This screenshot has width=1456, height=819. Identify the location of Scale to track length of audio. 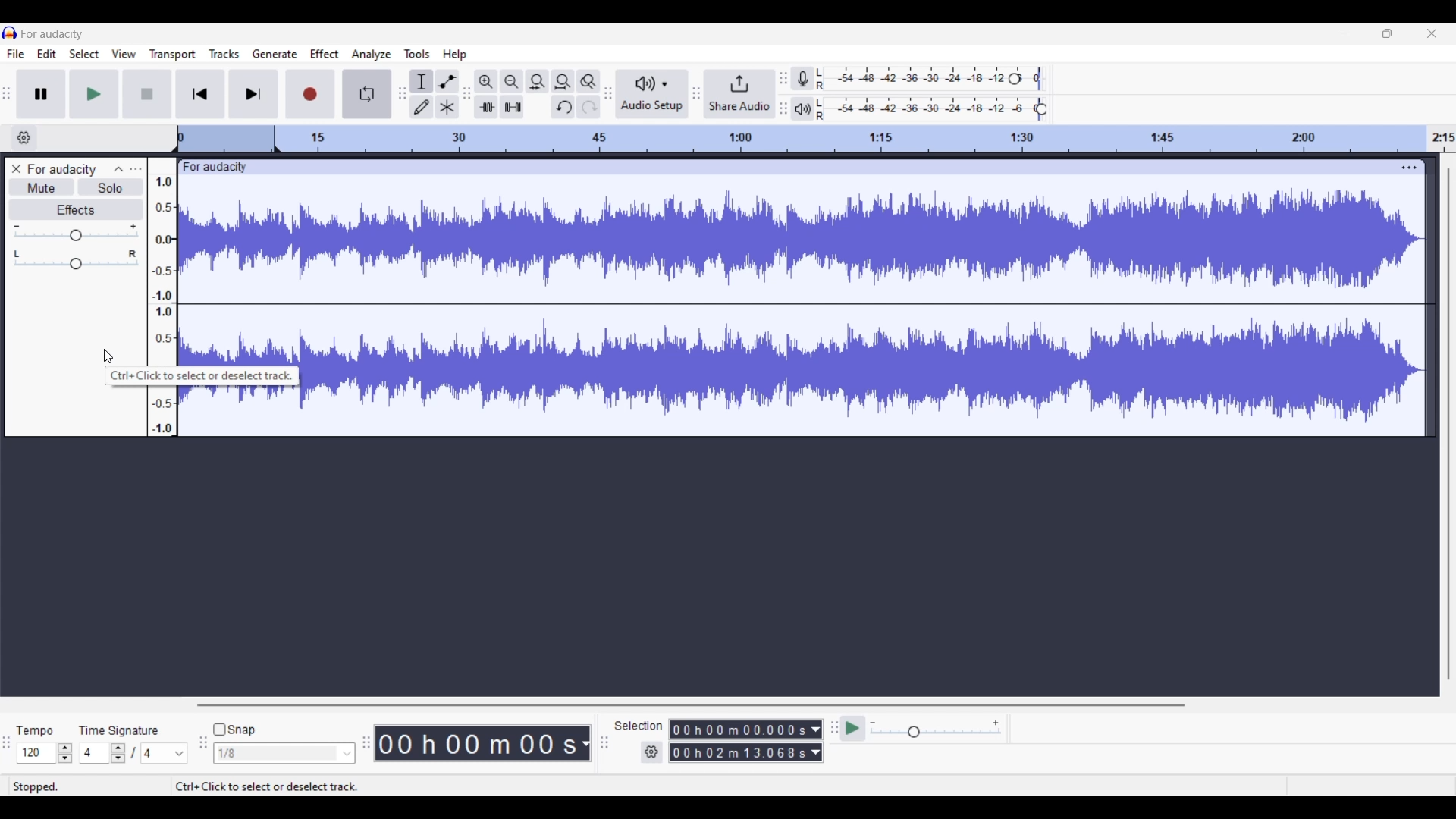
(870, 139).